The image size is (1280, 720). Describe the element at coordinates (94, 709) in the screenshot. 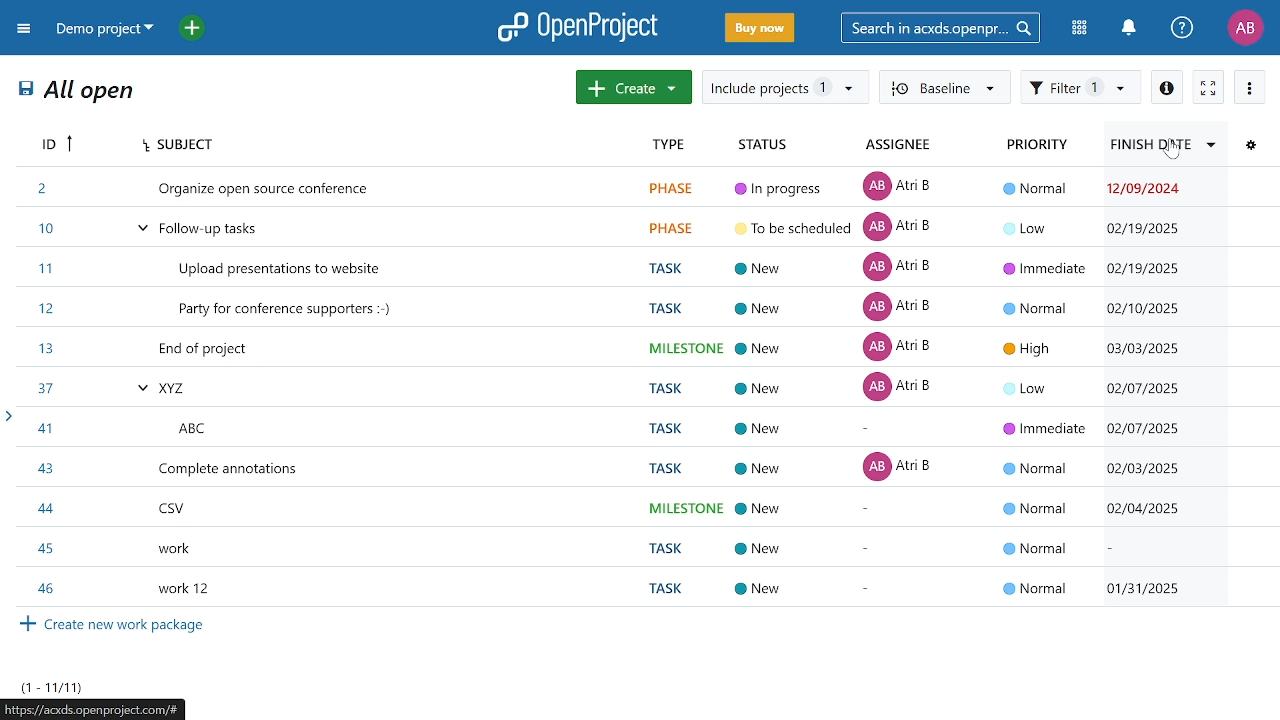

I see `current page web address  "https://acsdx.openproject.com/"` at that location.